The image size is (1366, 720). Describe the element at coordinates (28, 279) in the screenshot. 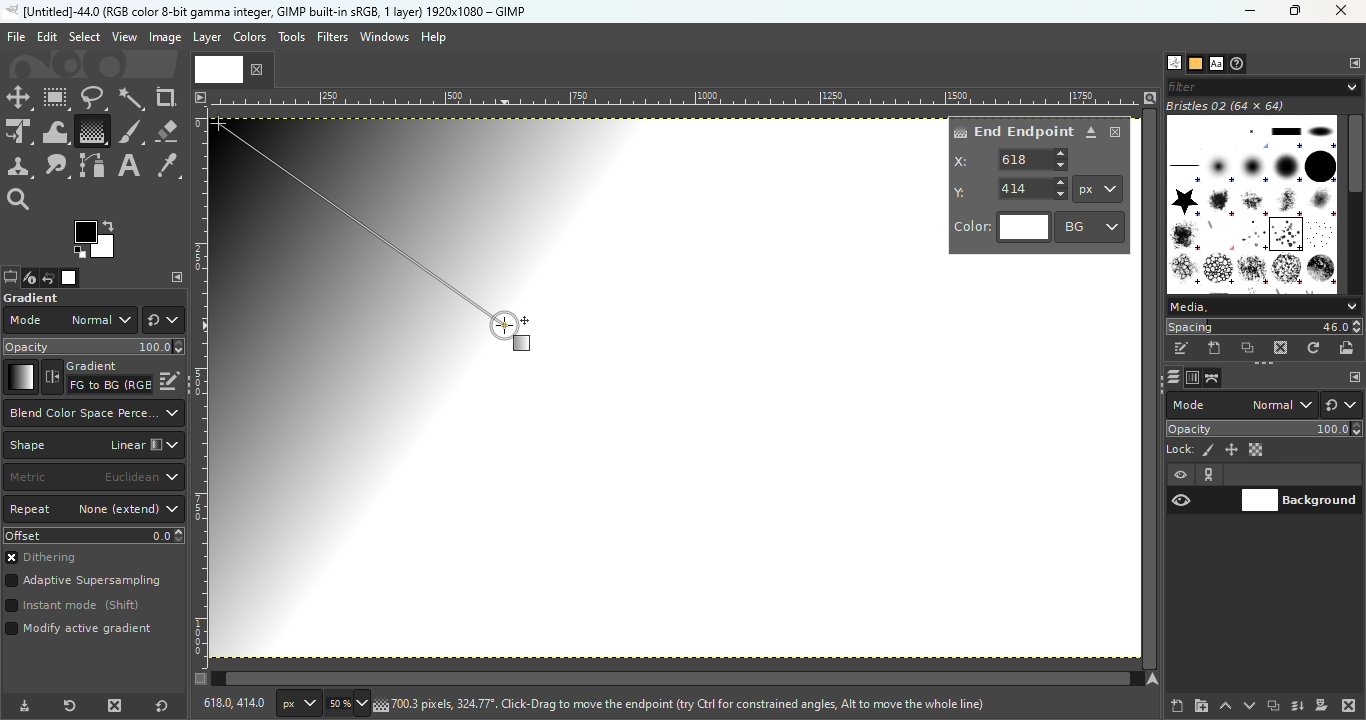

I see `Open the device status dialog` at that location.